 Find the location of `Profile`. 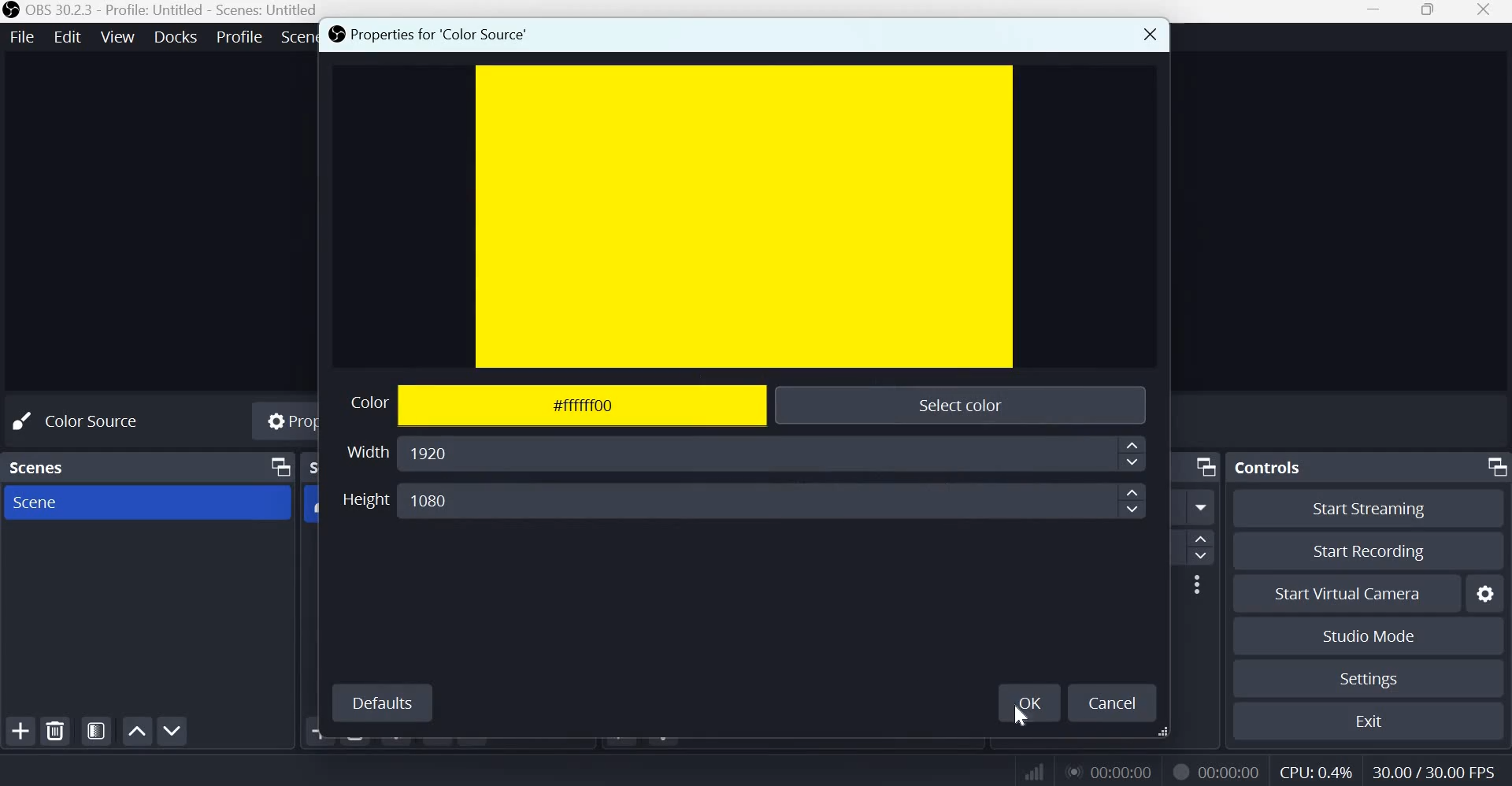

Profile is located at coordinates (238, 36).